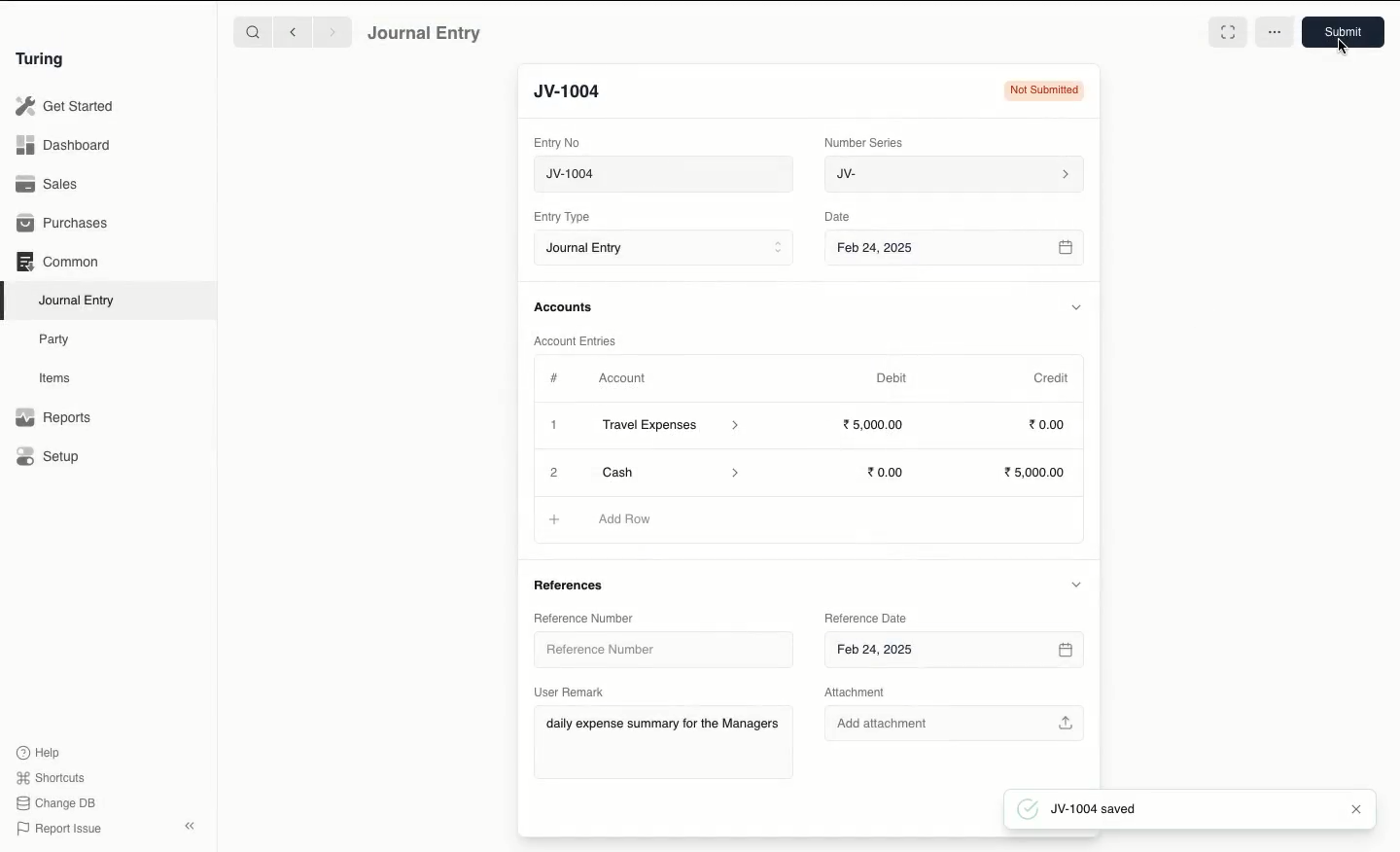  What do you see at coordinates (59, 262) in the screenshot?
I see `Common` at bounding box center [59, 262].